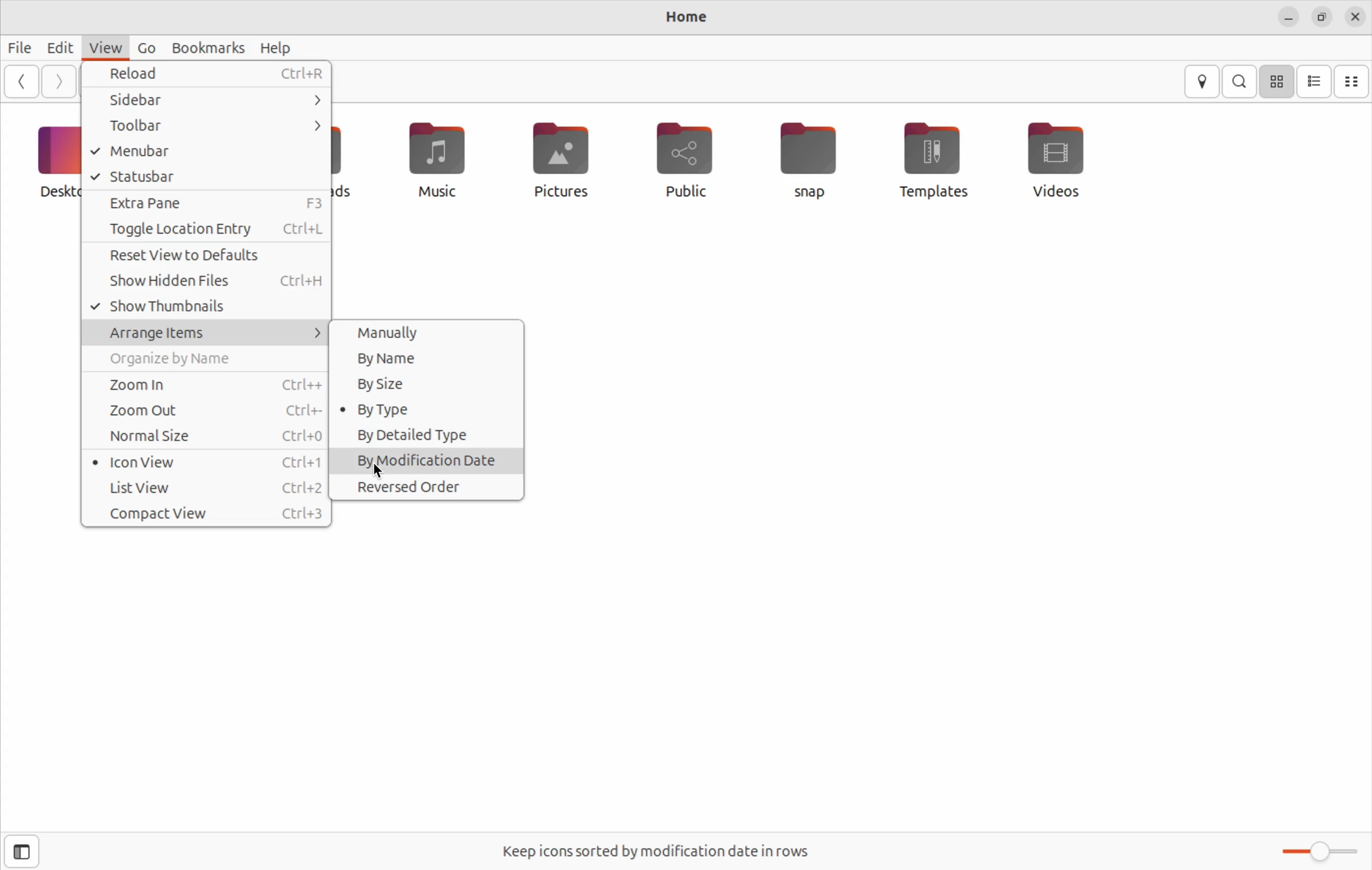 The image size is (1372, 870). I want to click on music file, so click(432, 159).